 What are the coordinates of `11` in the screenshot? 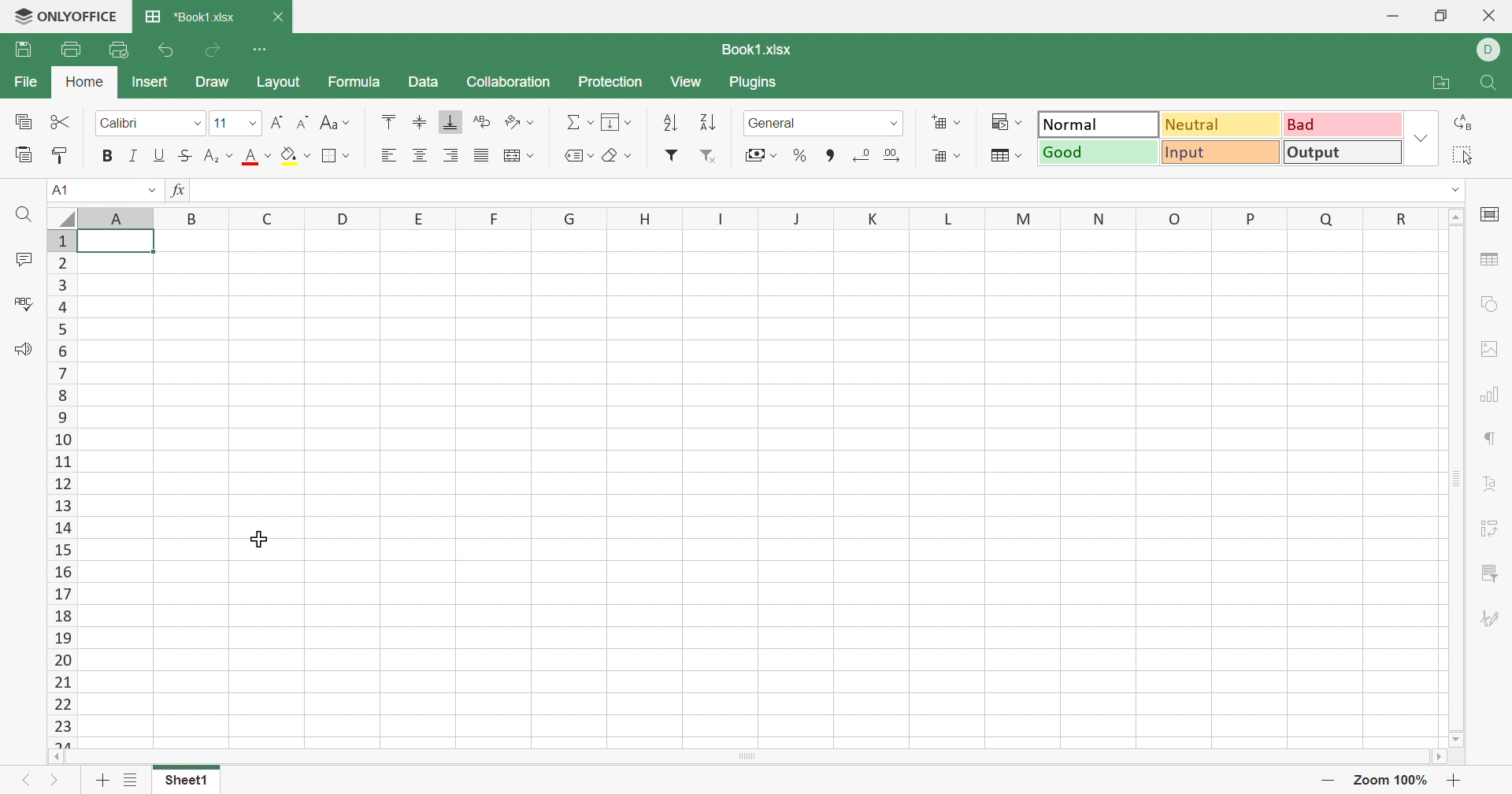 It's located at (220, 123).